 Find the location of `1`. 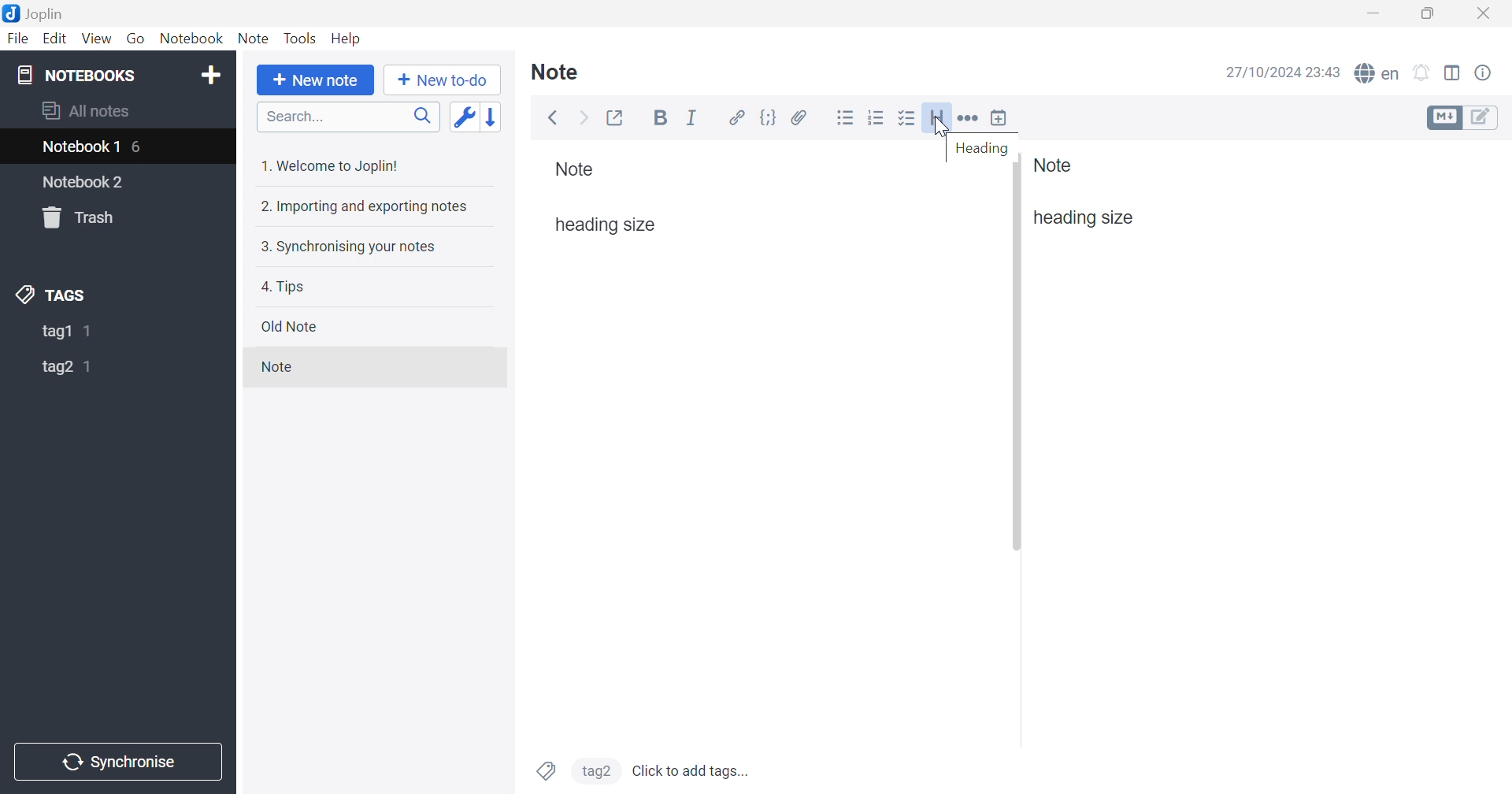

1 is located at coordinates (90, 368).